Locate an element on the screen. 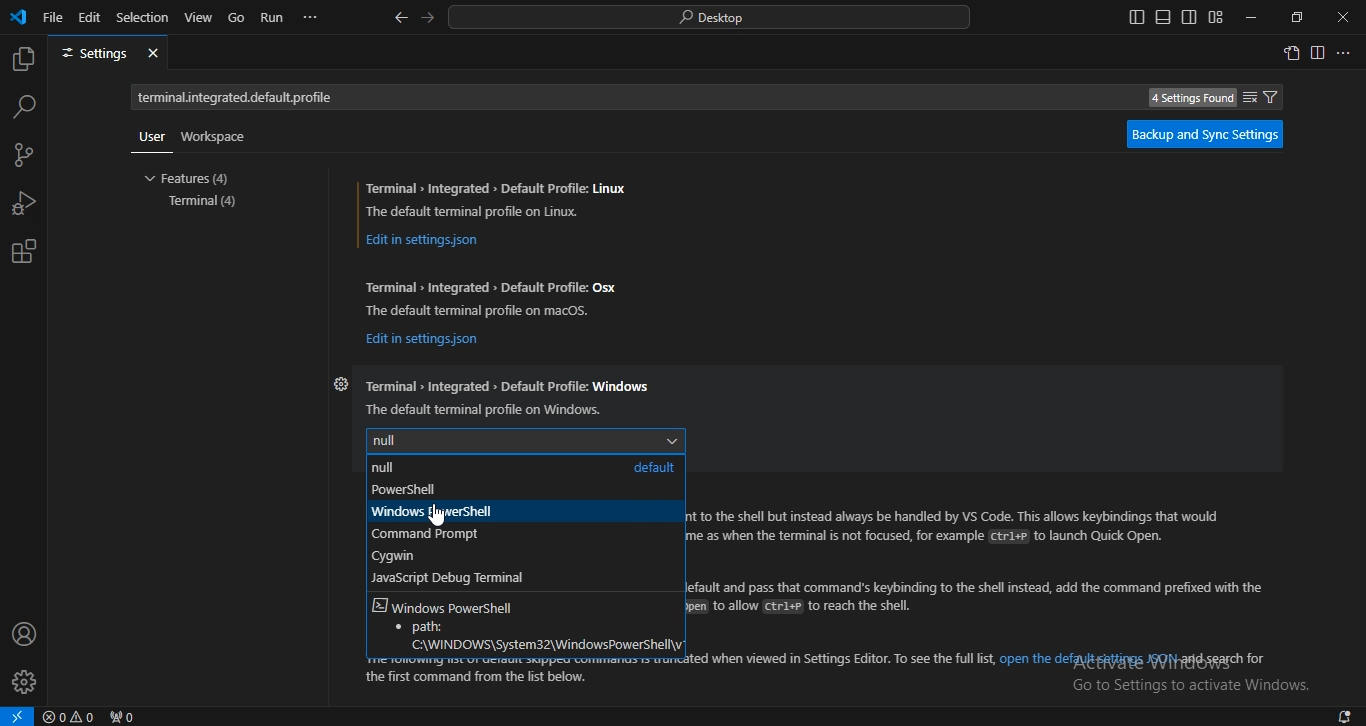  defaullt is located at coordinates (653, 467).